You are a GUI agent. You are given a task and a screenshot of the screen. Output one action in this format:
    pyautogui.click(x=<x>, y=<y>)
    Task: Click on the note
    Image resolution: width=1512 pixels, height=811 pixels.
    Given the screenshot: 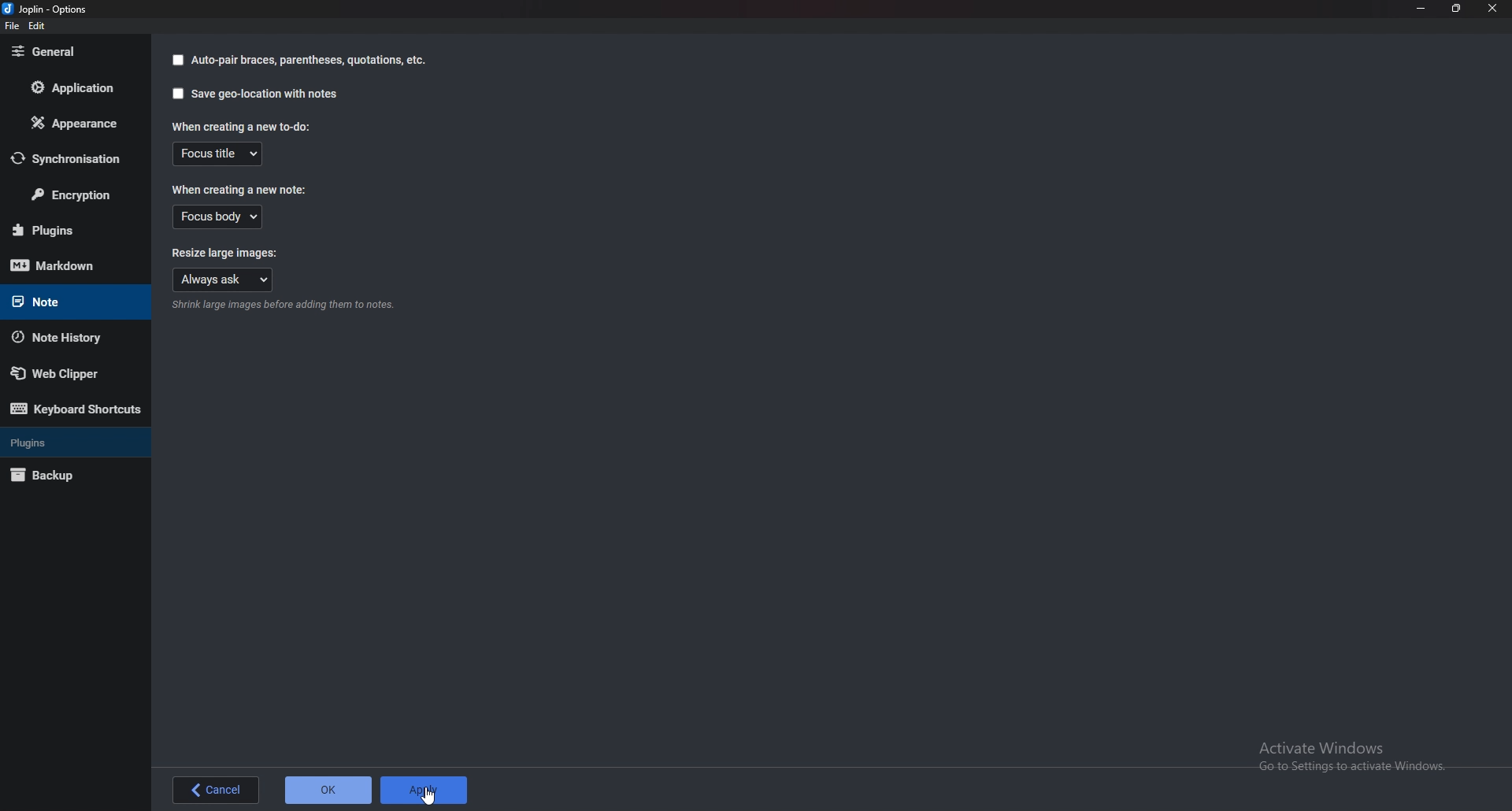 What is the action you would take?
    pyautogui.click(x=64, y=300)
    